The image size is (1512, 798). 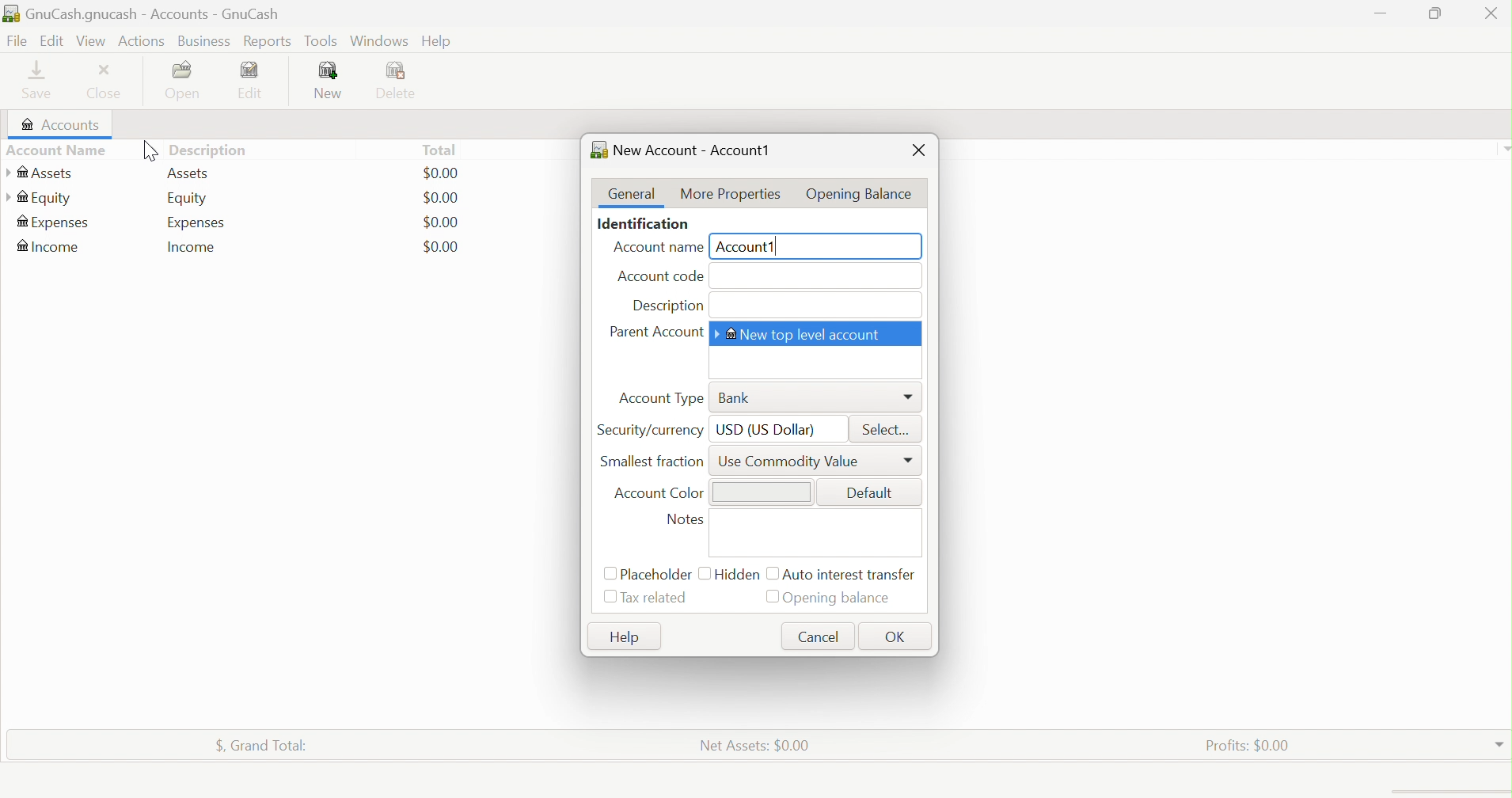 I want to click on Reports, so click(x=266, y=42).